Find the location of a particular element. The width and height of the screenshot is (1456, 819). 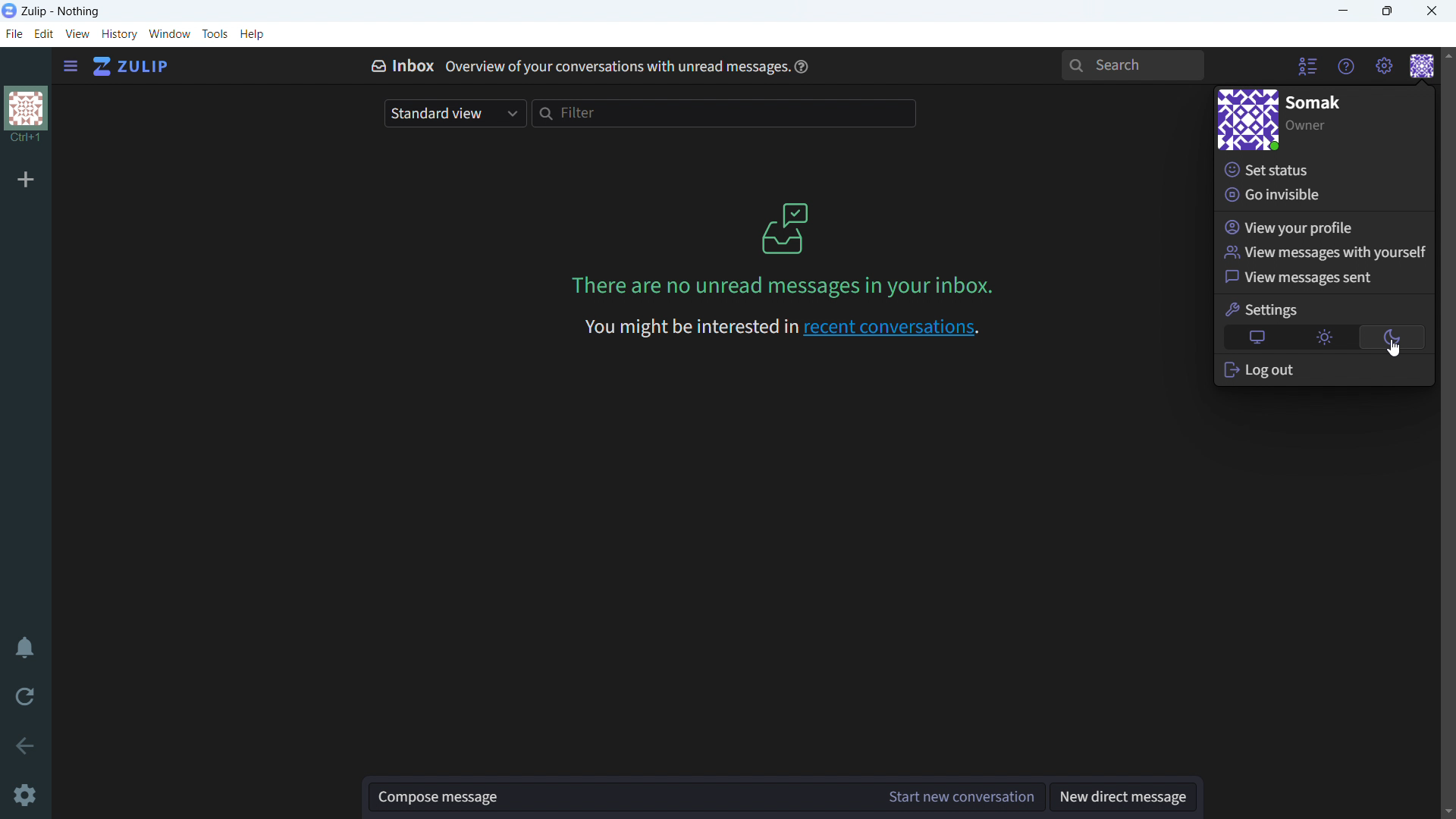

scroll down is located at coordinates (1447, 811).